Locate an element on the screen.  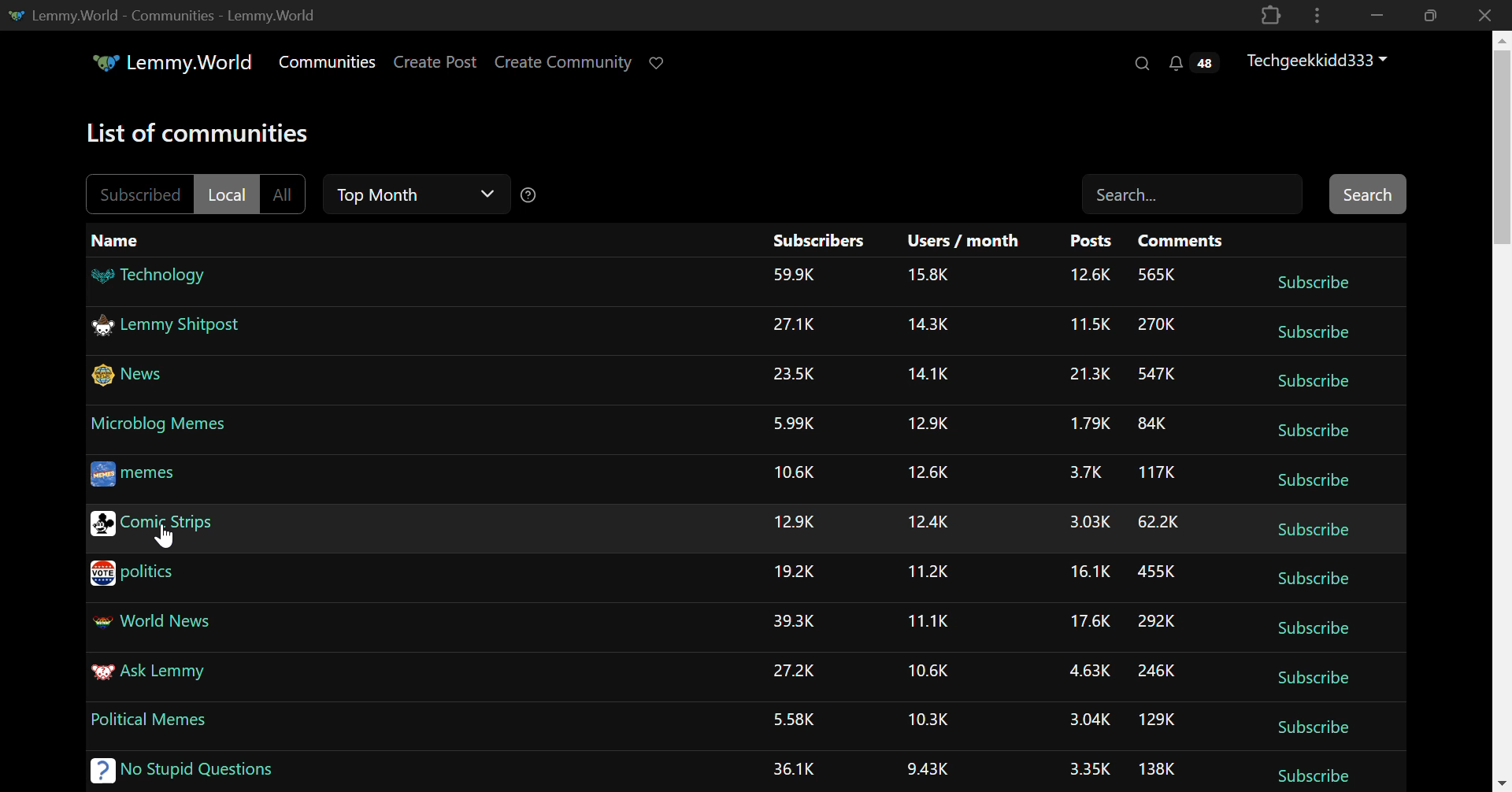
Search Button is located at coordinates (1367, 191).